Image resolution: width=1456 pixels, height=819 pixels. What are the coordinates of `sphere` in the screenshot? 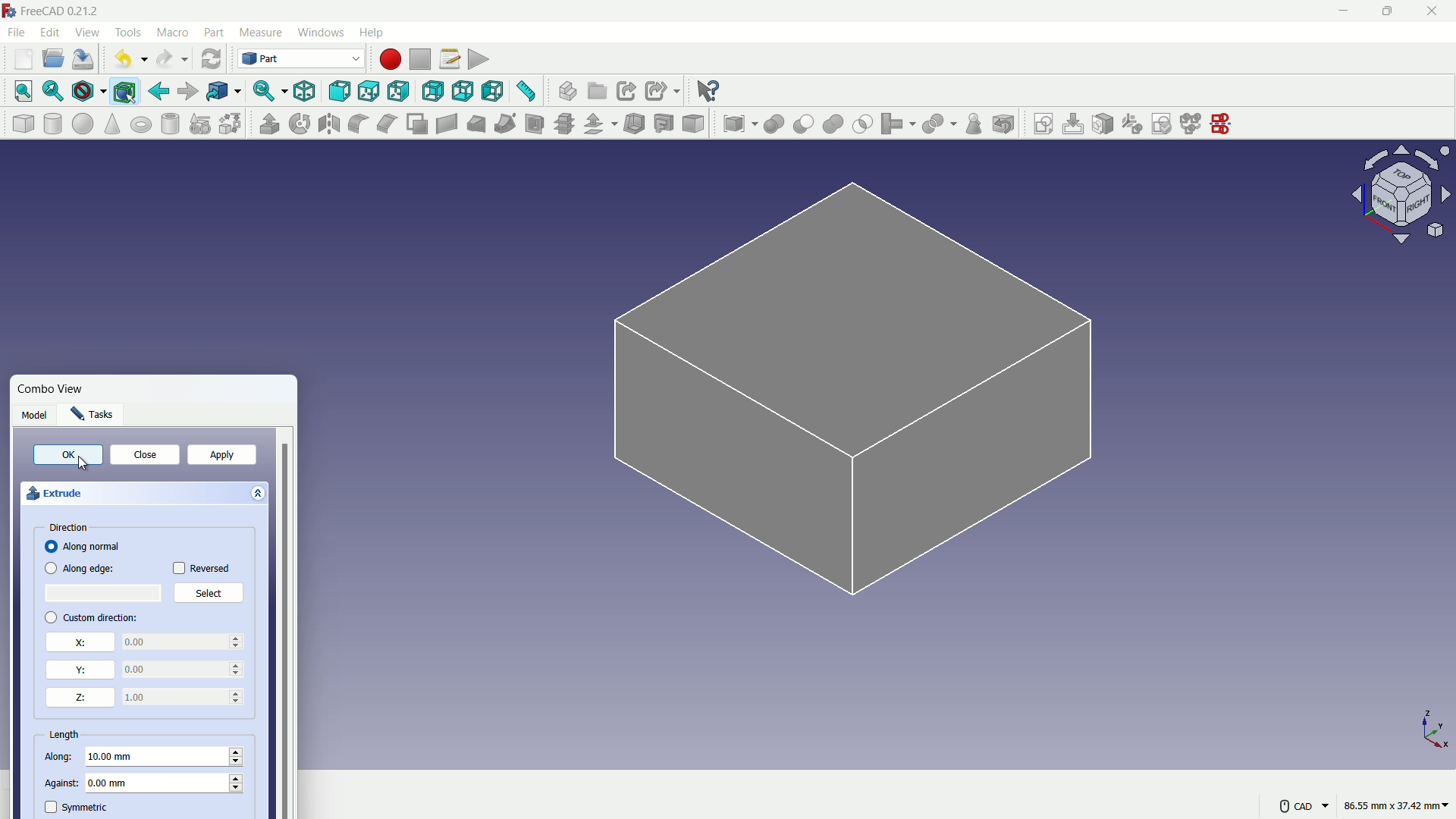 It's located at (83, 123).